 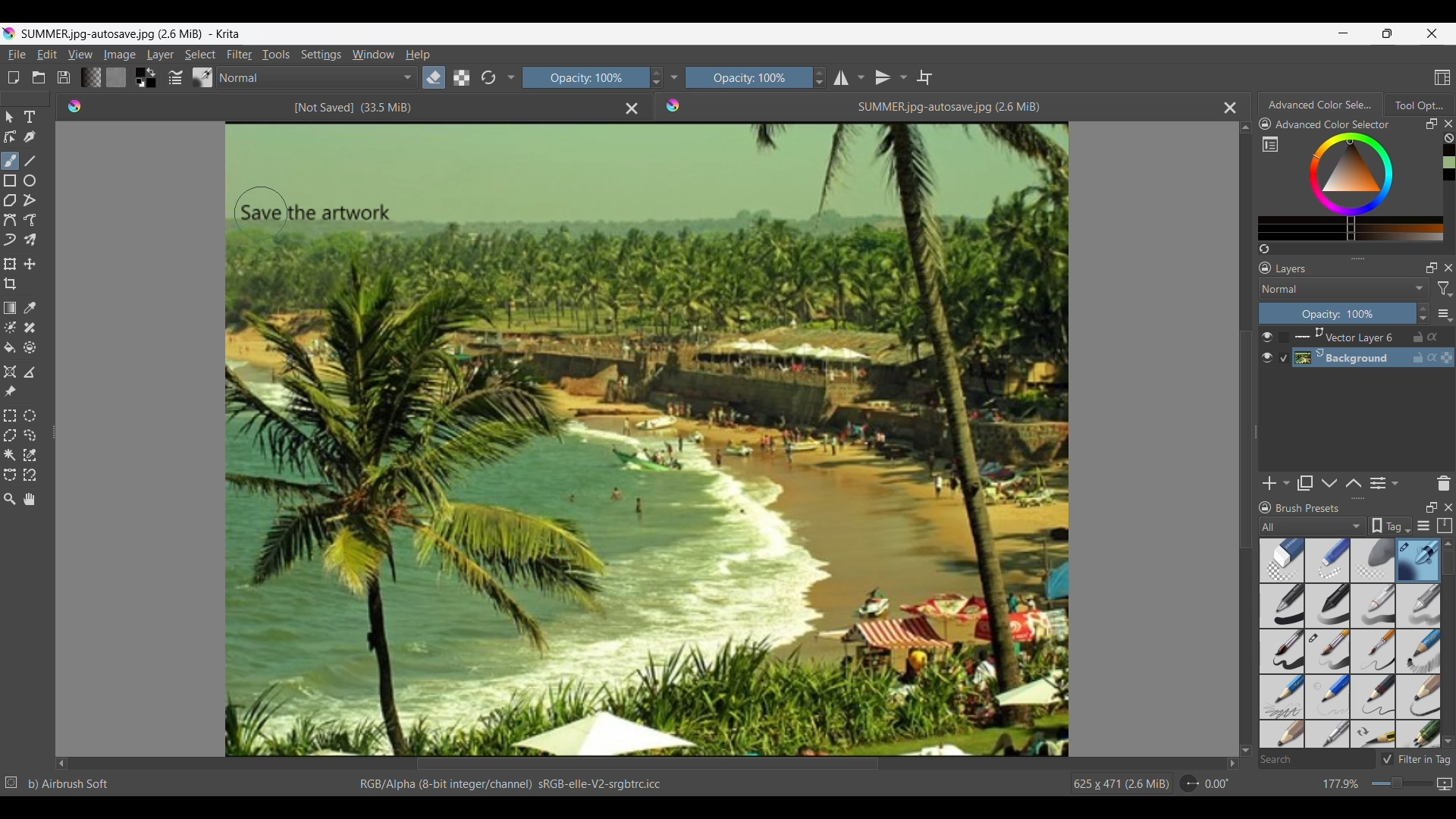 What do you see at coordinates (30, 263) in the screenshot?
I see `Move a layer` at bounding box center [30, 263].